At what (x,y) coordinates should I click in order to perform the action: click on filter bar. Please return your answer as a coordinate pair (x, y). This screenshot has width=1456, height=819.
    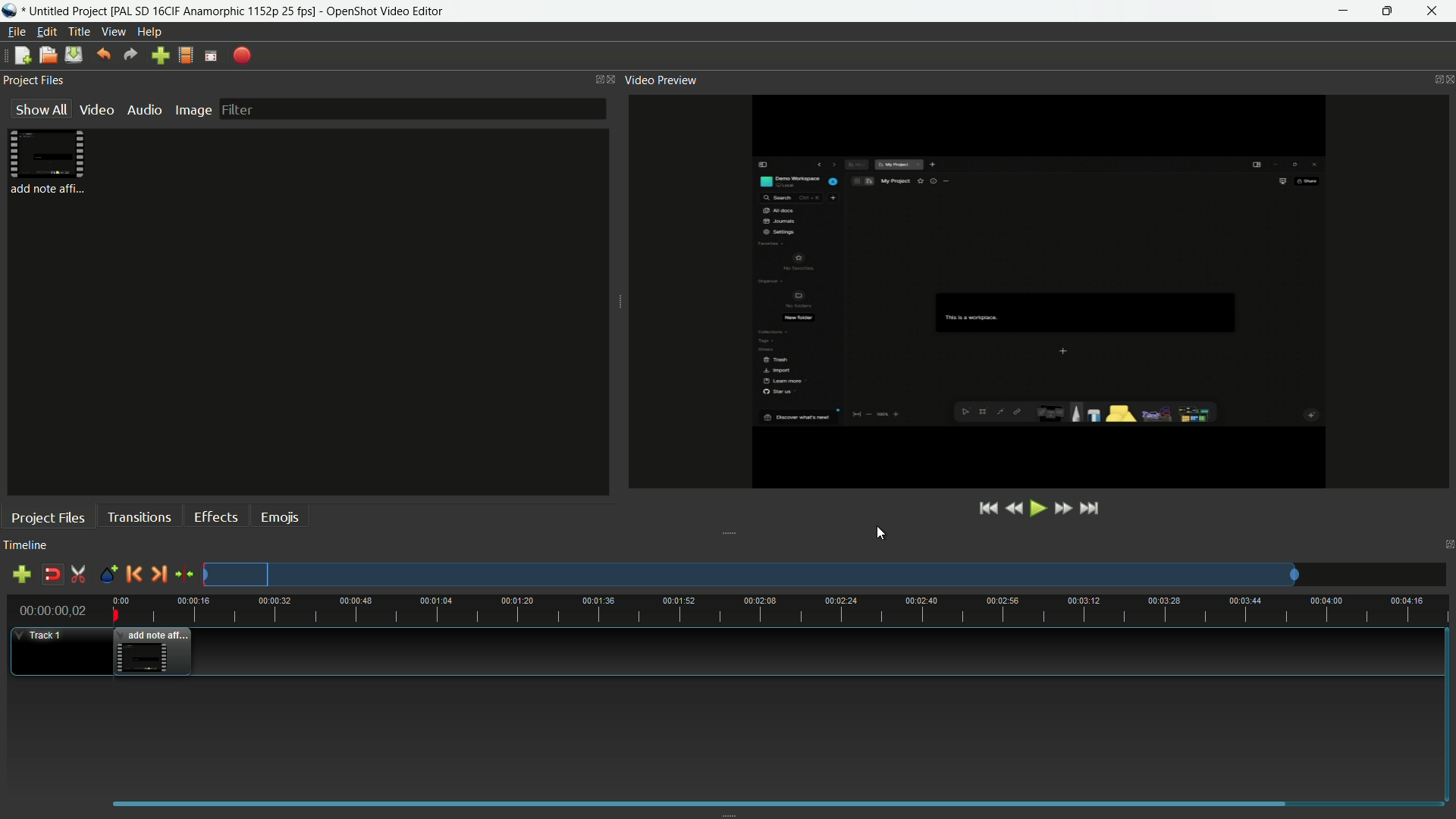
    Looking at the image, I should click on (412, 108).